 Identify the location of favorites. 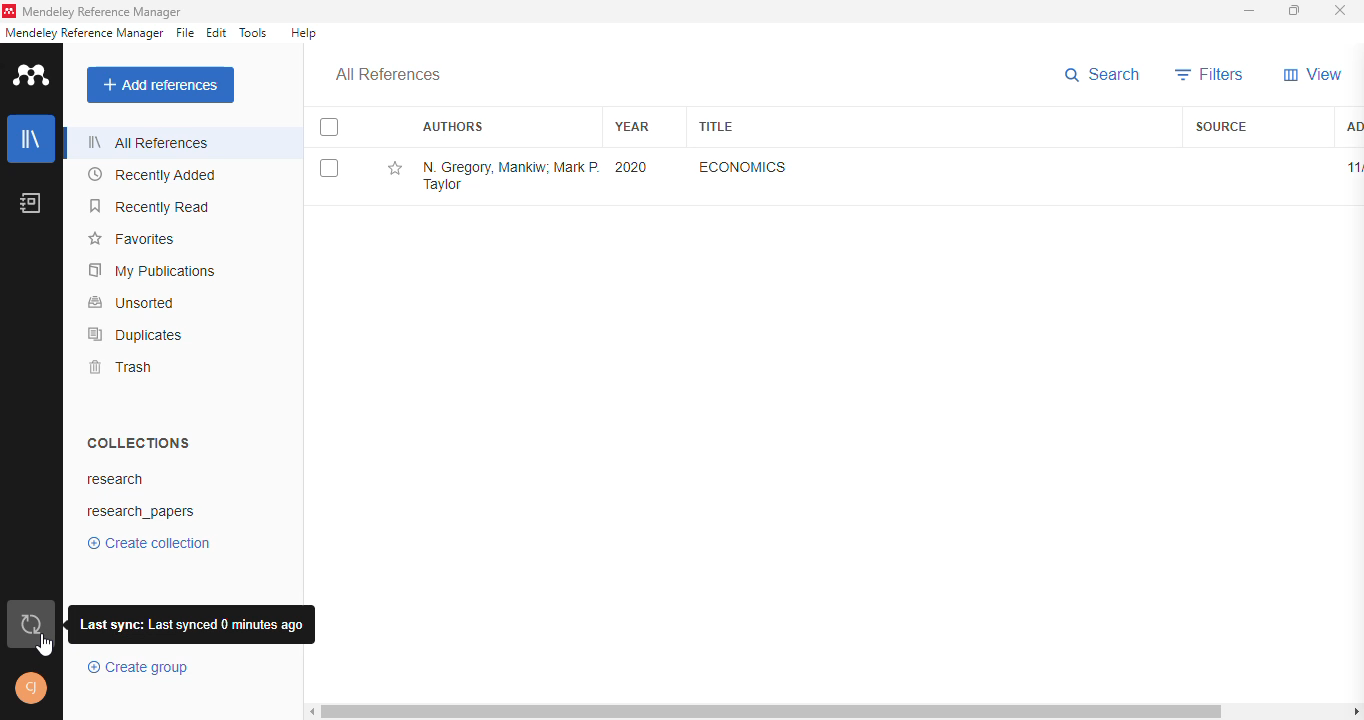
(132, 238).